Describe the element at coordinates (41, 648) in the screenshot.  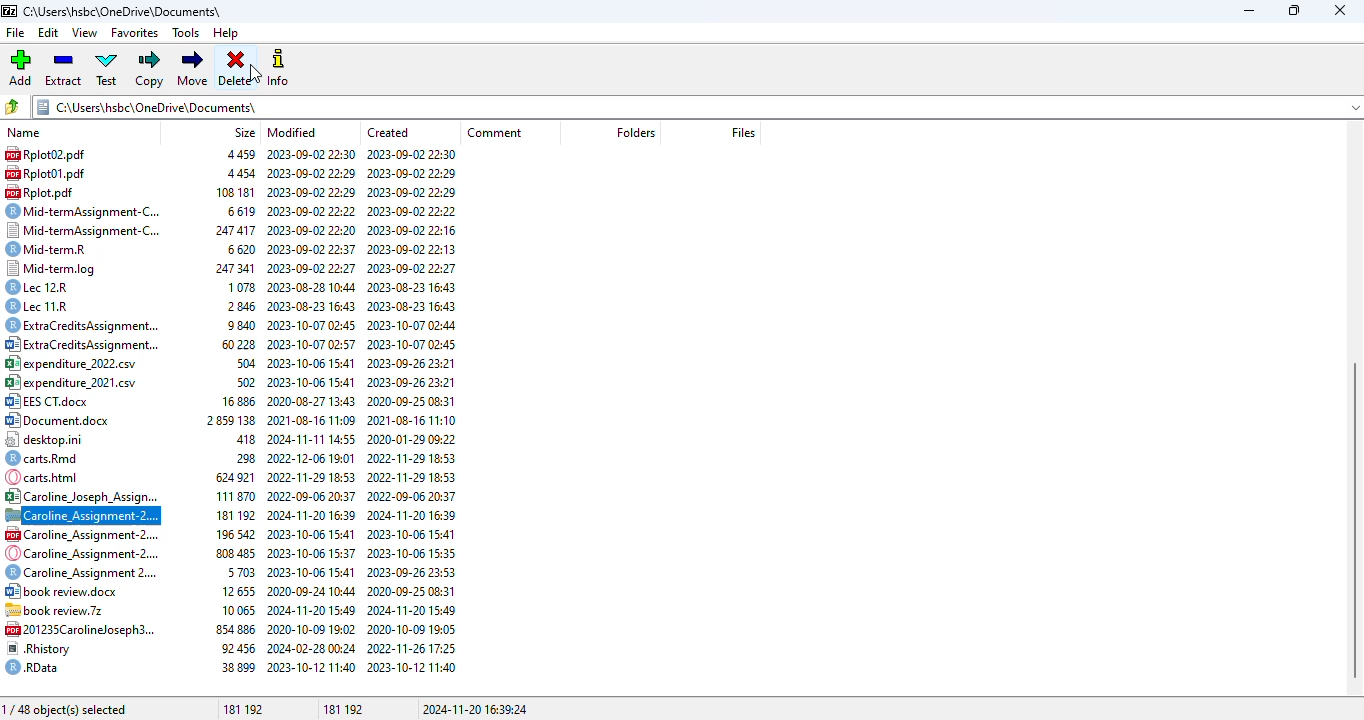
I see `rhistory` at that location.